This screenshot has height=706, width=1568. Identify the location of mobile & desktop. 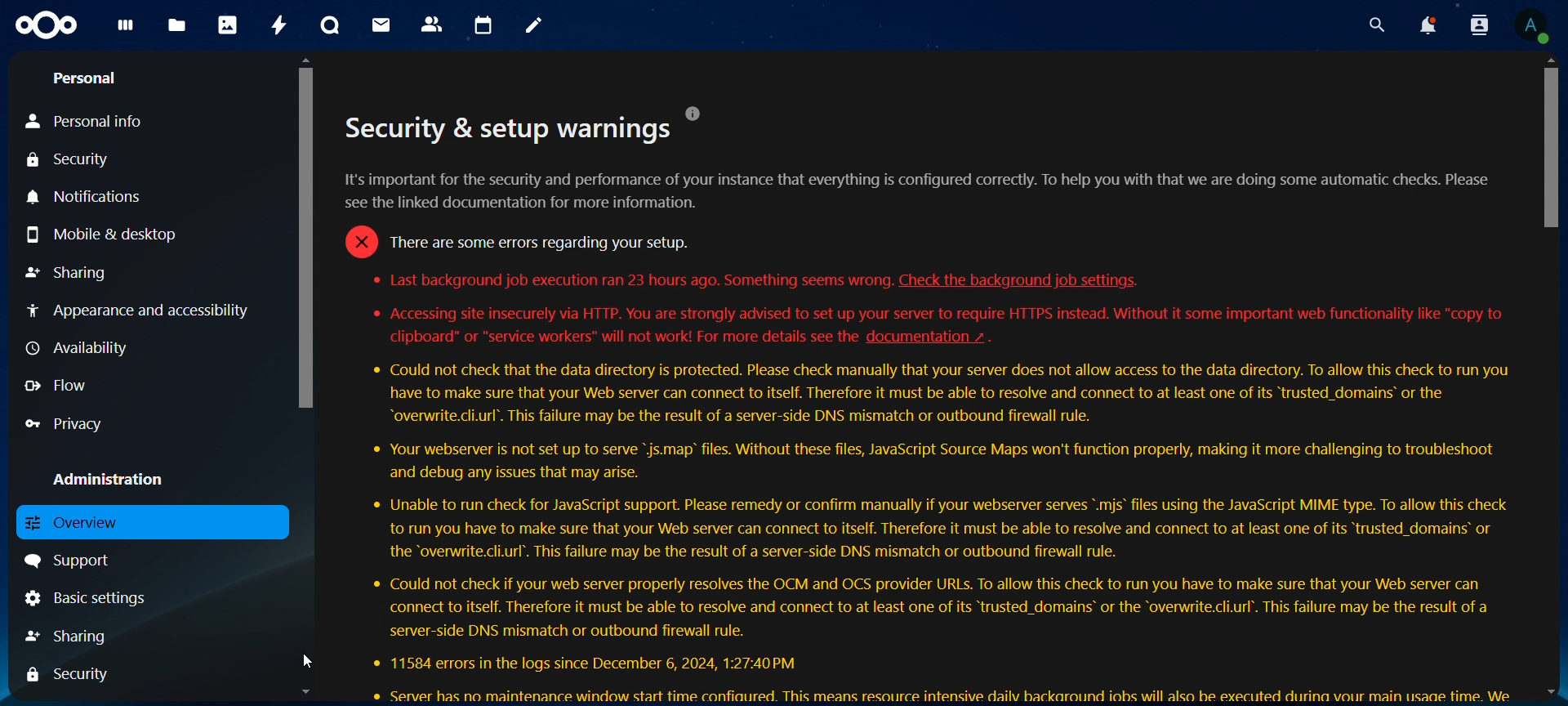
(116, 233).